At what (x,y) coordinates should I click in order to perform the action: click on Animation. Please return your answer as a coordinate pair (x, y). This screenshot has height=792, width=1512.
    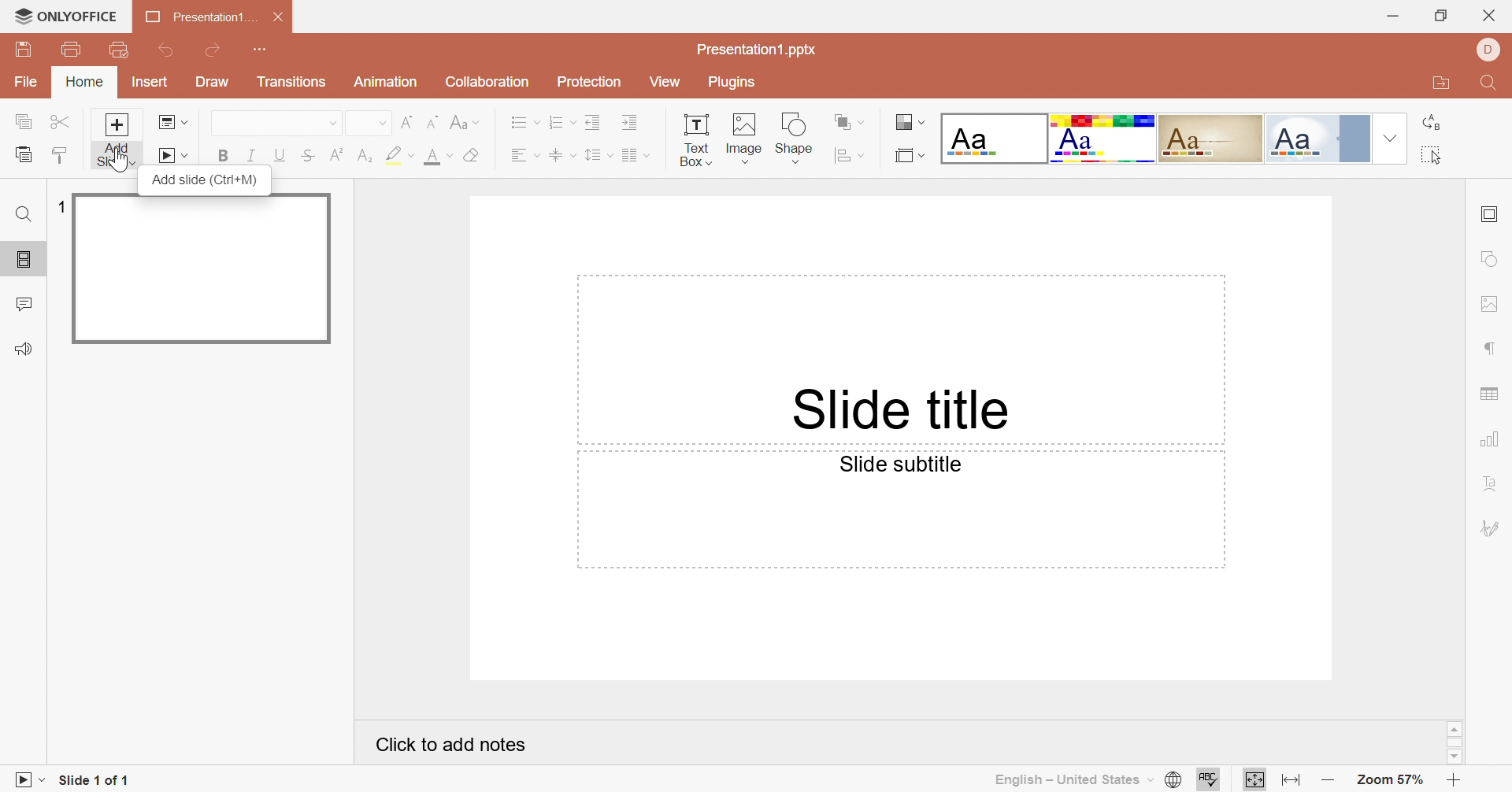
    Looking at the image, I should click on (385, 80).